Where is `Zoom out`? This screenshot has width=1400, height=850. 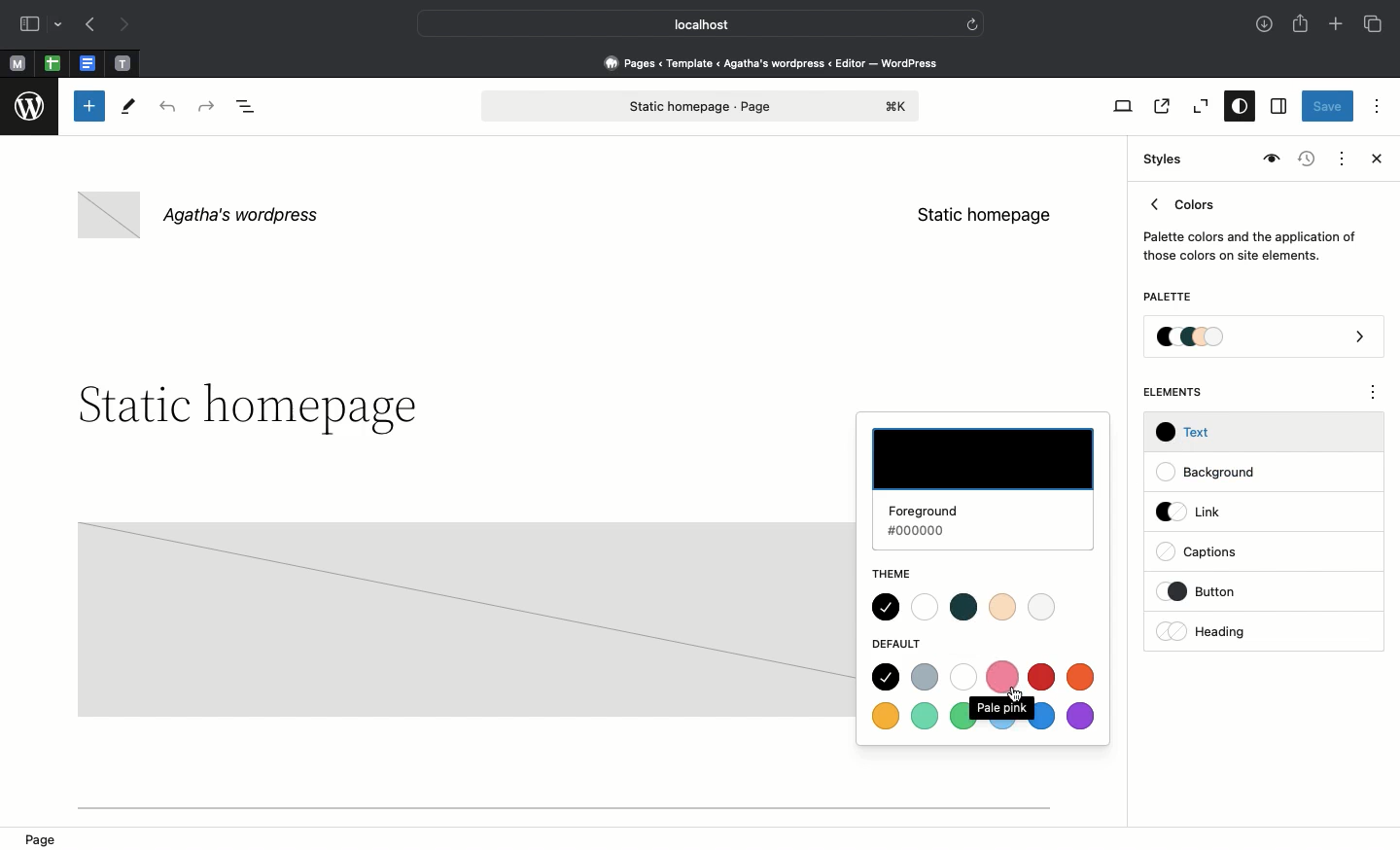 Zoom out is located at coordinates (1198, 107).